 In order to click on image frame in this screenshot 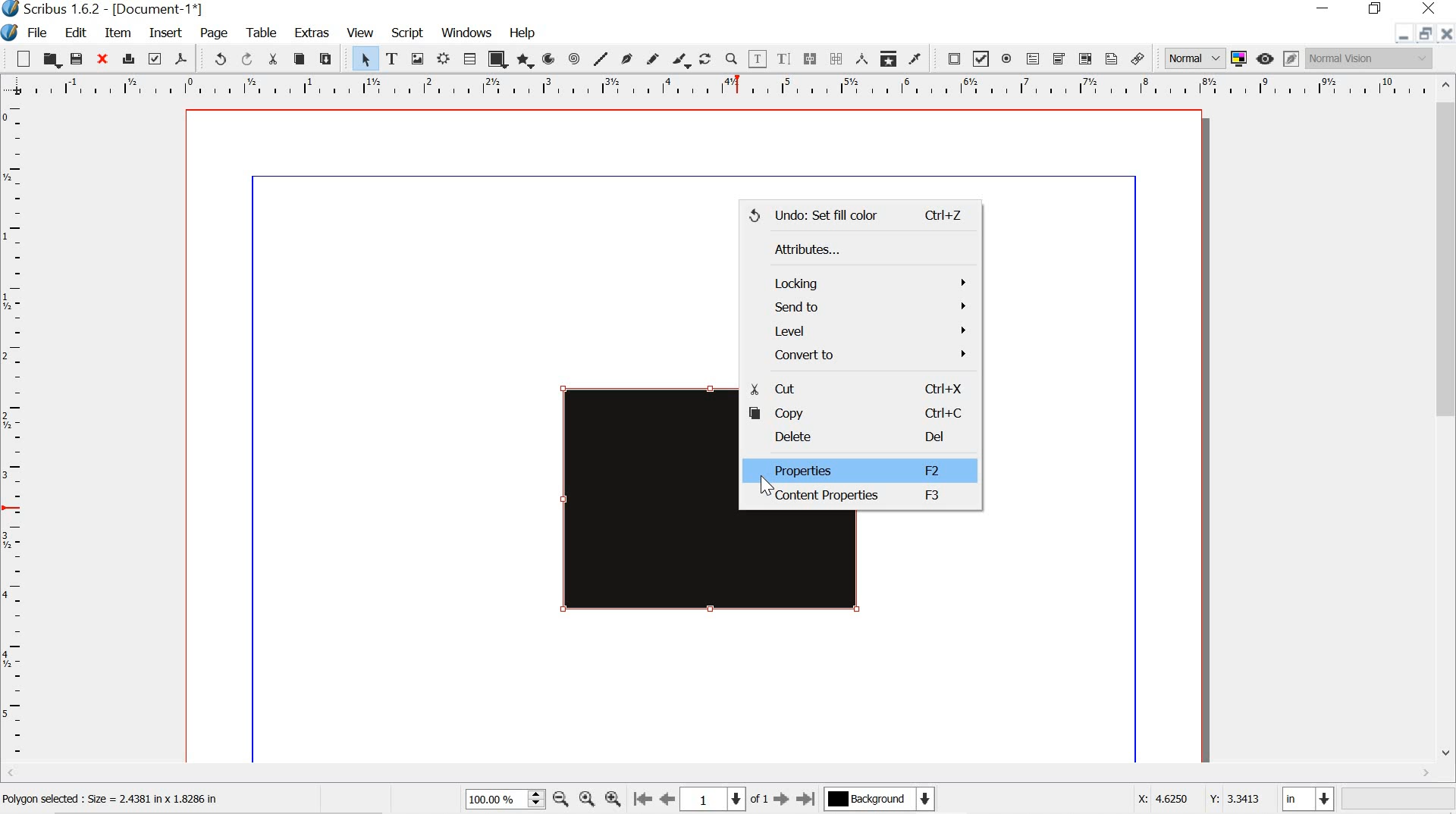, I will do `click(418, 59)`.